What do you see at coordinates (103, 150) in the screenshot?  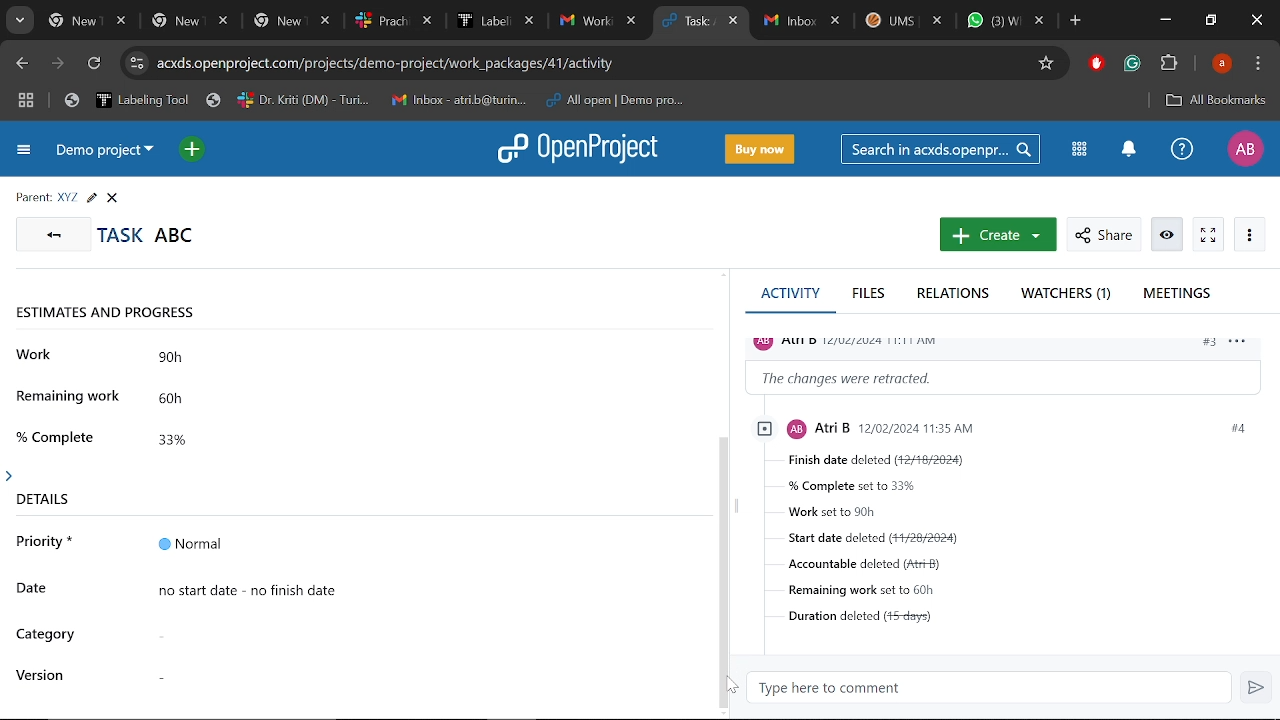 I see `Current project` at bounding box center [103, 150].